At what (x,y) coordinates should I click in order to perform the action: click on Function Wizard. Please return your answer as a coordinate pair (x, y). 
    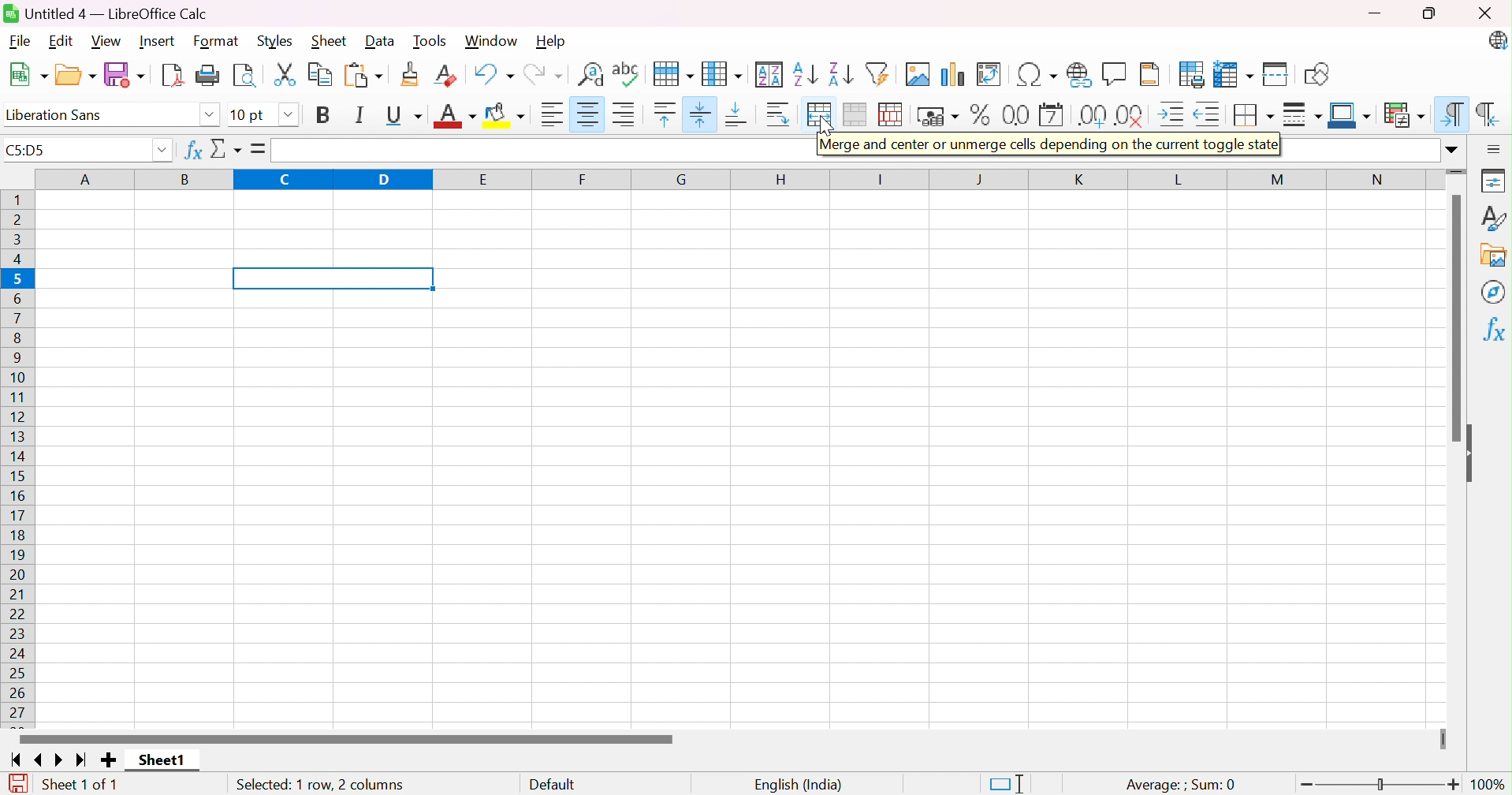
    Looking at the image, I should click on (191, 151).